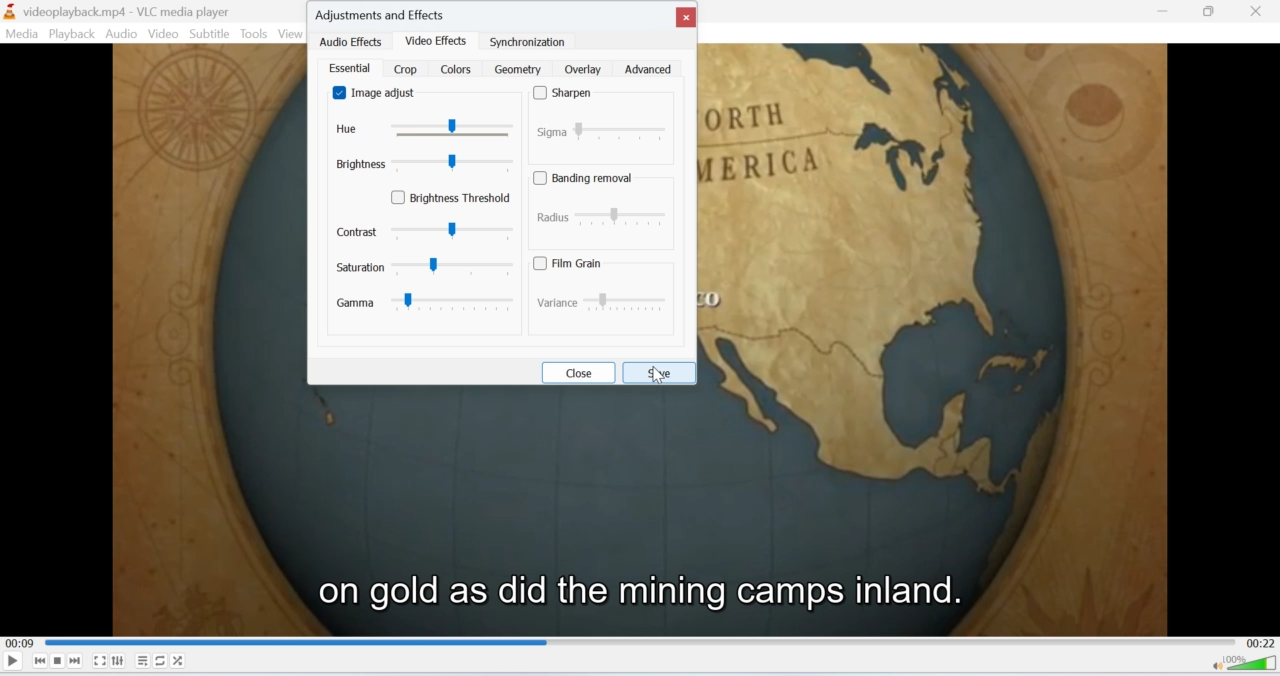  I want to click on essential, so click(349, 68).